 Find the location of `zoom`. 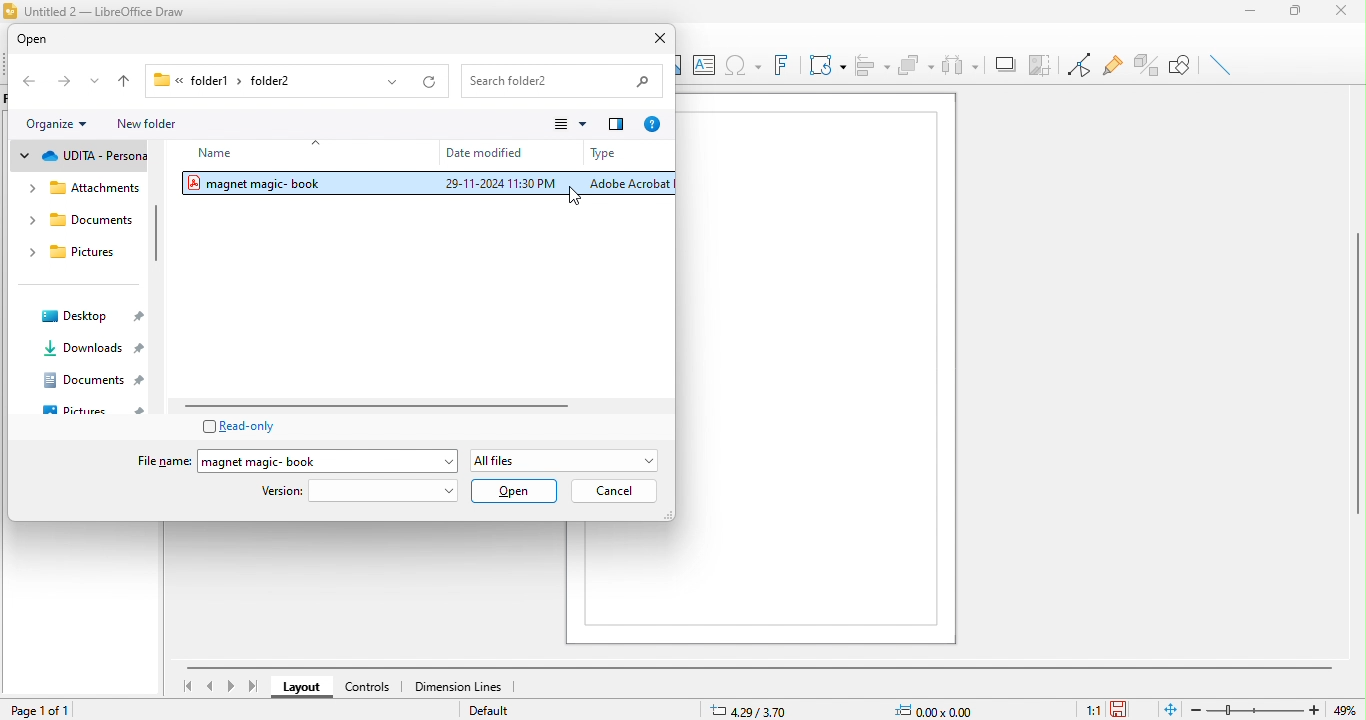

zoom is located at coordinates (1258, 707).